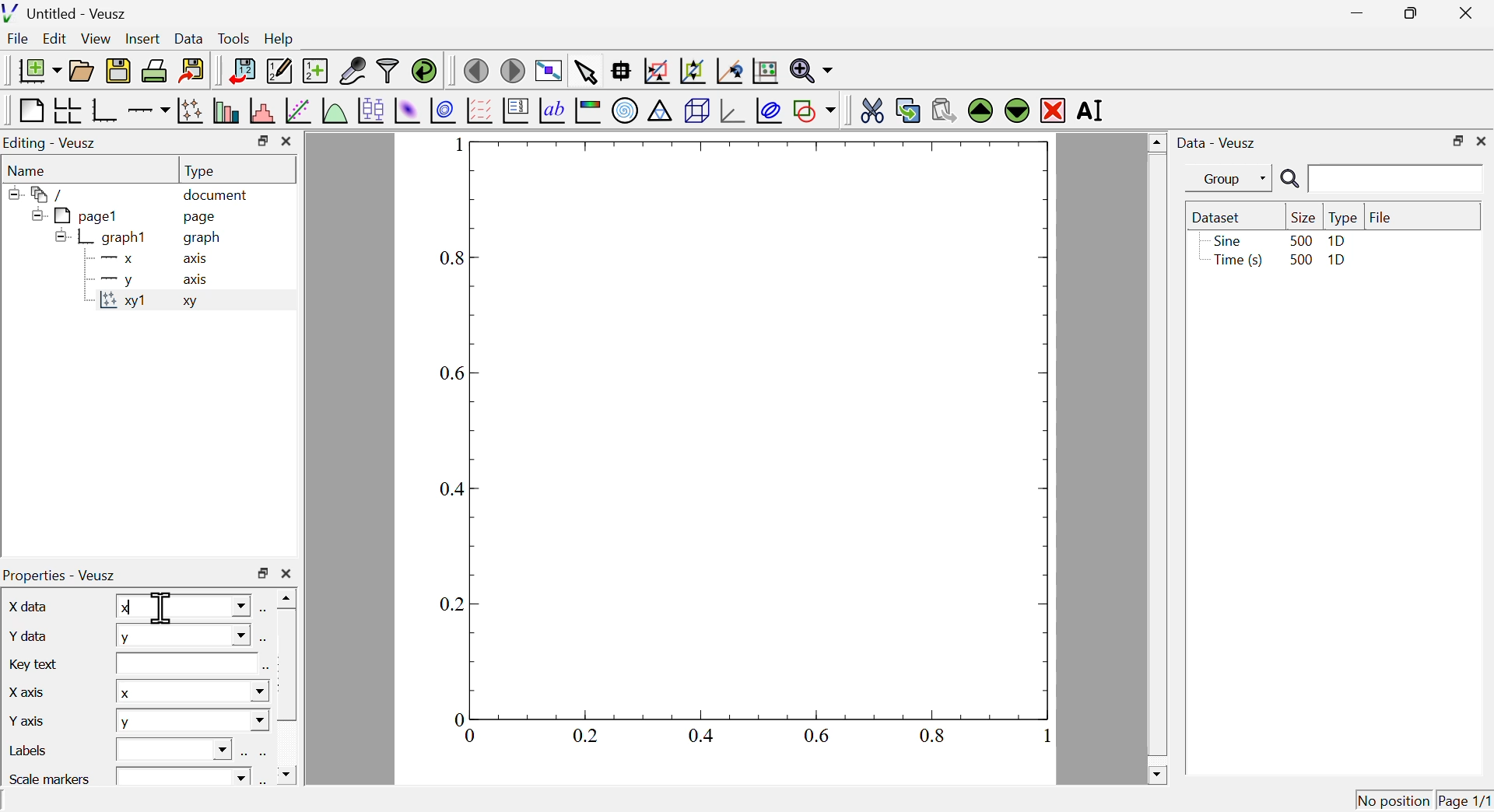 This screenshot has height=812, width=1494. What do you see at coordinates (458, 718) in the screenshot?
I see `0` at bounding box center [458, 718].